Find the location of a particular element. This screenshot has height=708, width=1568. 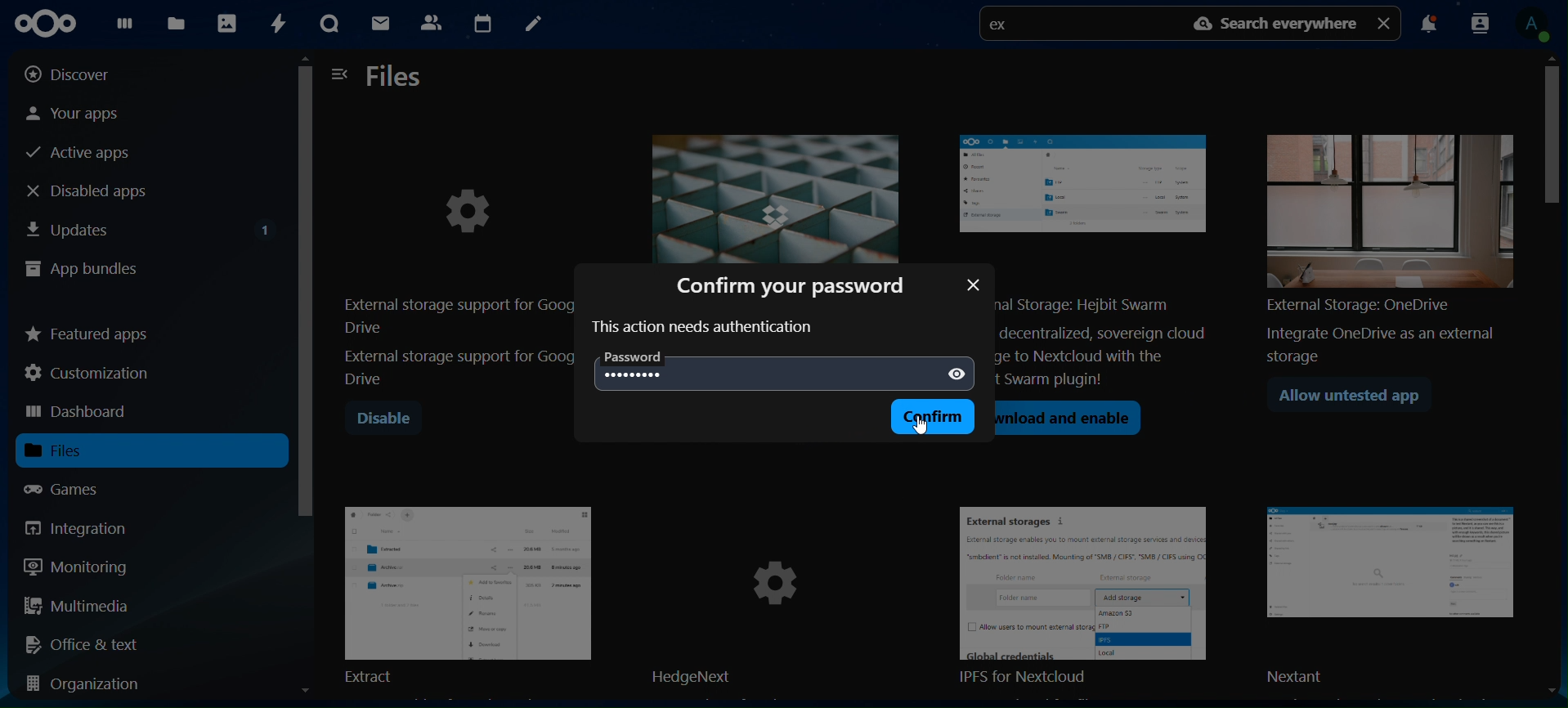

ex is located at coordinates (1004, 26).